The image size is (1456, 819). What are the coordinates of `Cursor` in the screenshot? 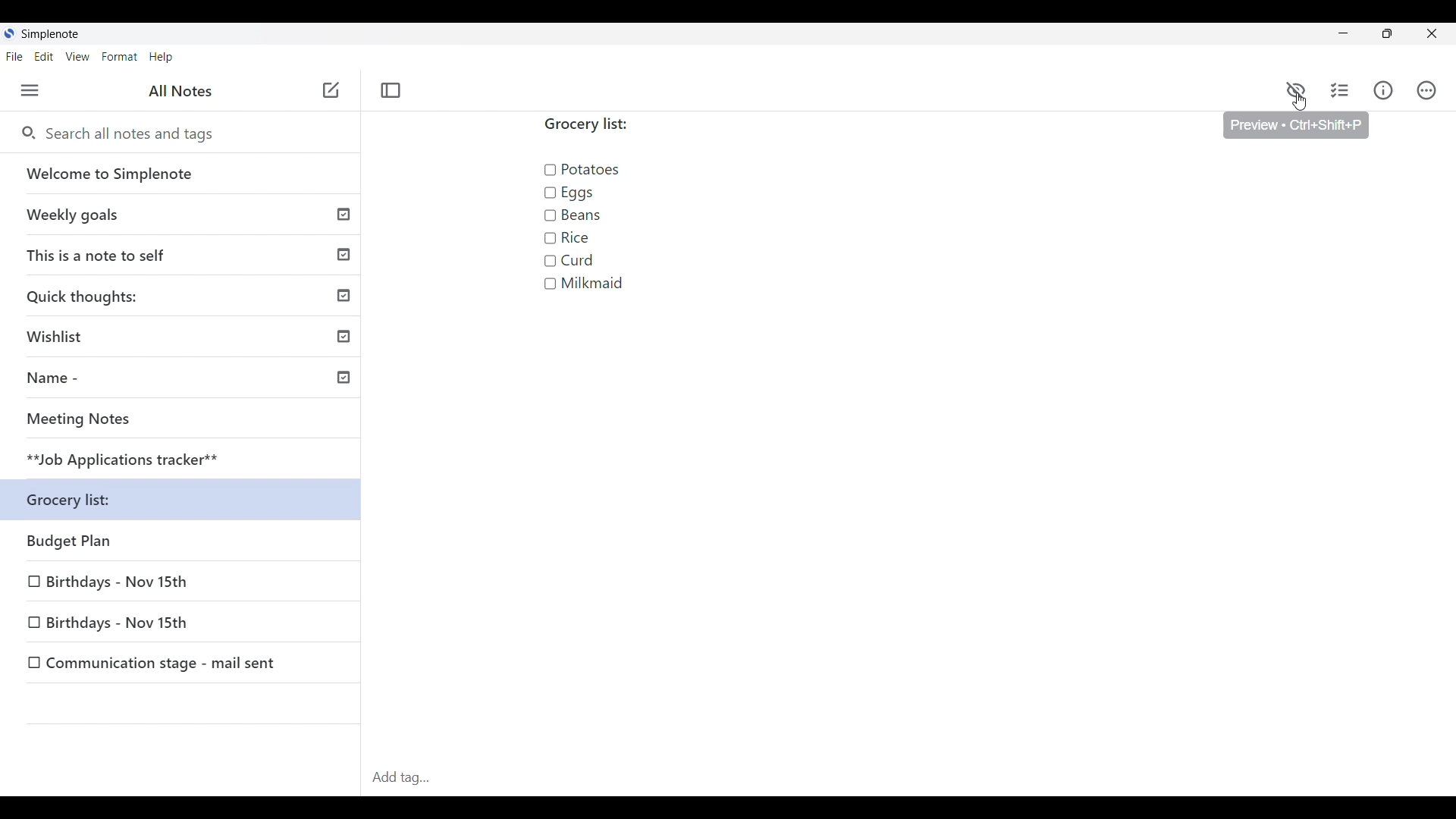 It's located at (1298, 104).